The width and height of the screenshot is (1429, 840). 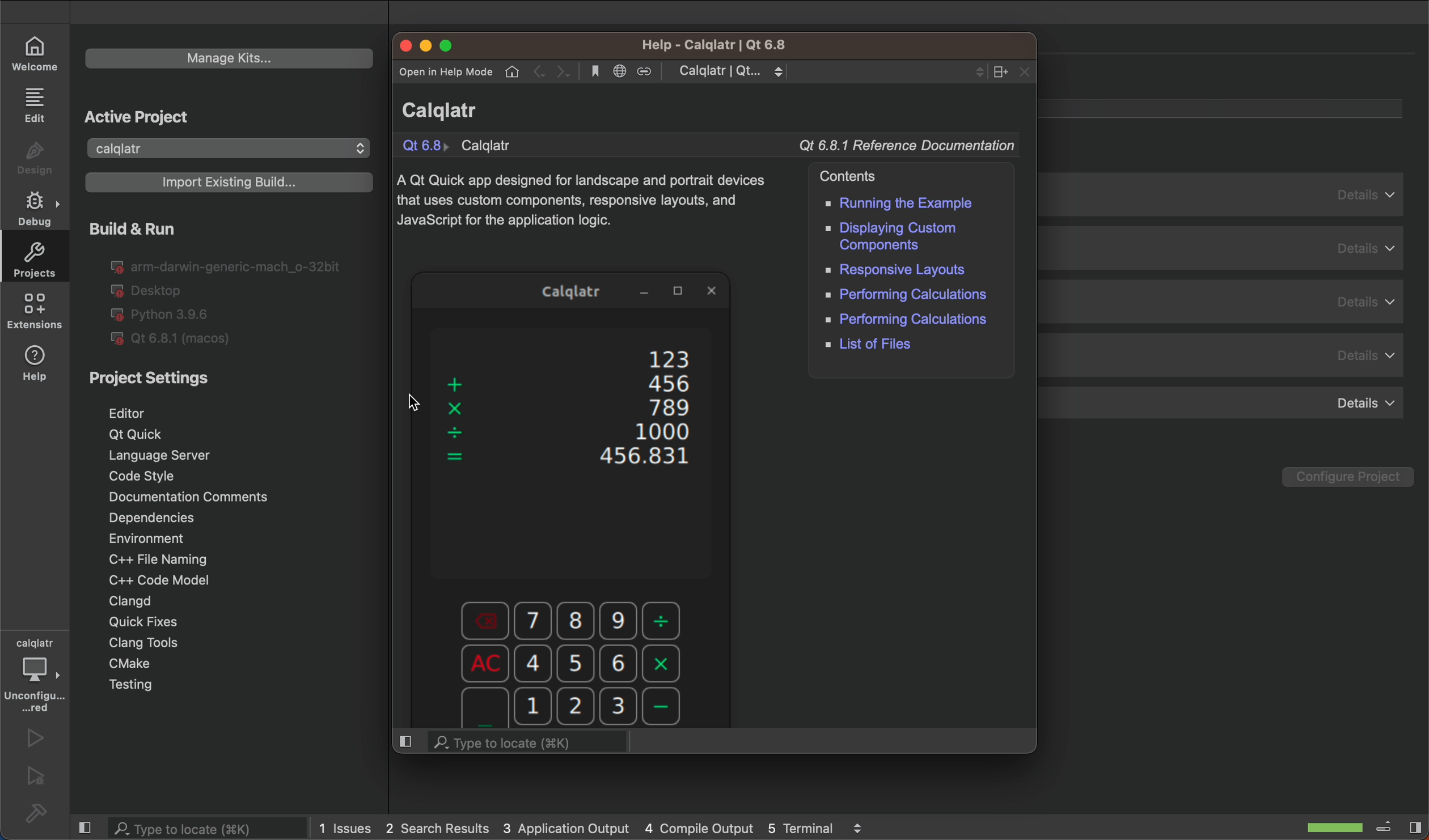 What do you see at coordinates (230, 183) in the screenshot?
I see `Import Existing Build` at bounding box center [230, 183].